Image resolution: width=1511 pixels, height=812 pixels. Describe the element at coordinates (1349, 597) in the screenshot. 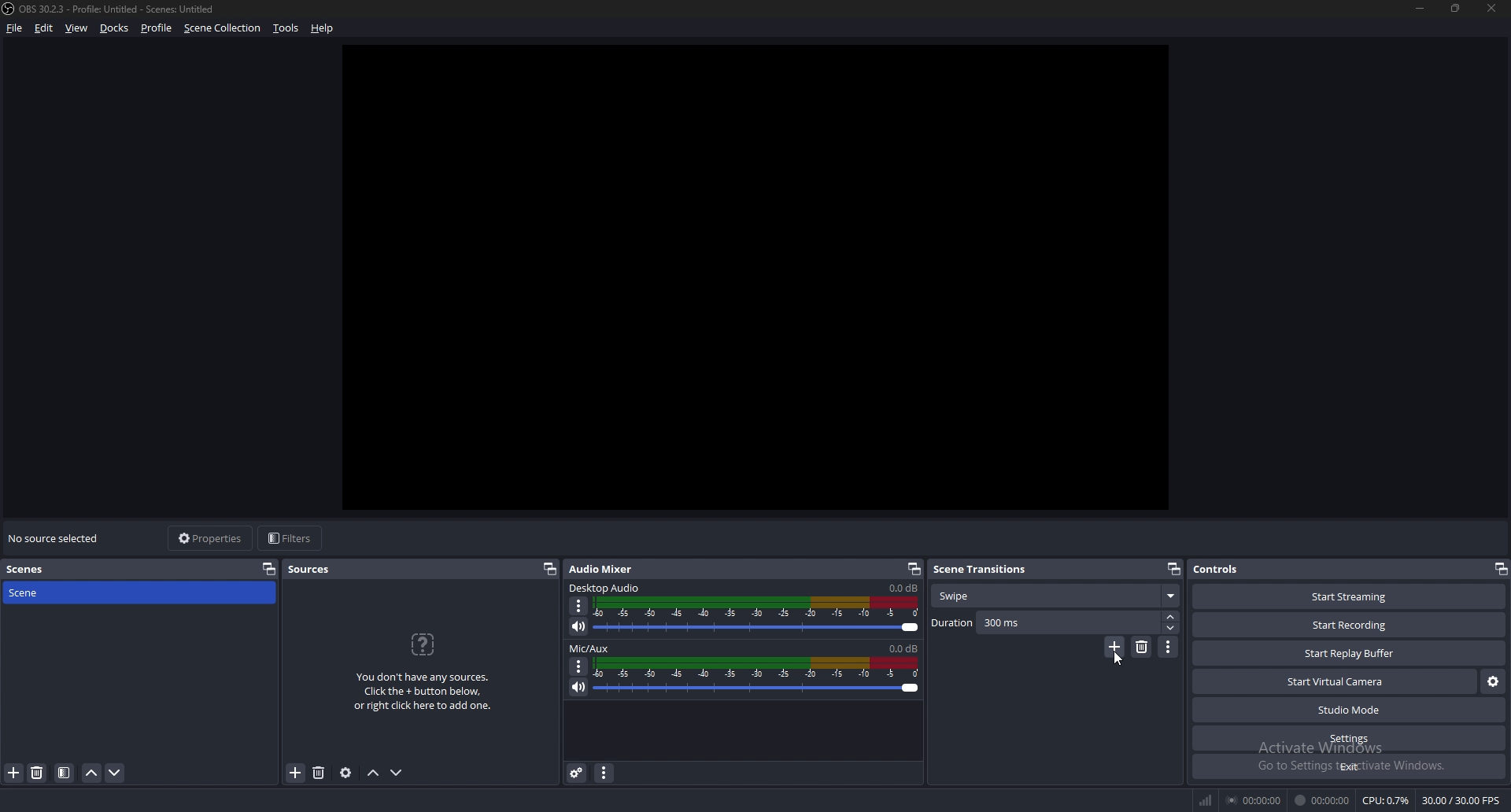

I see `start streaming` at that location.